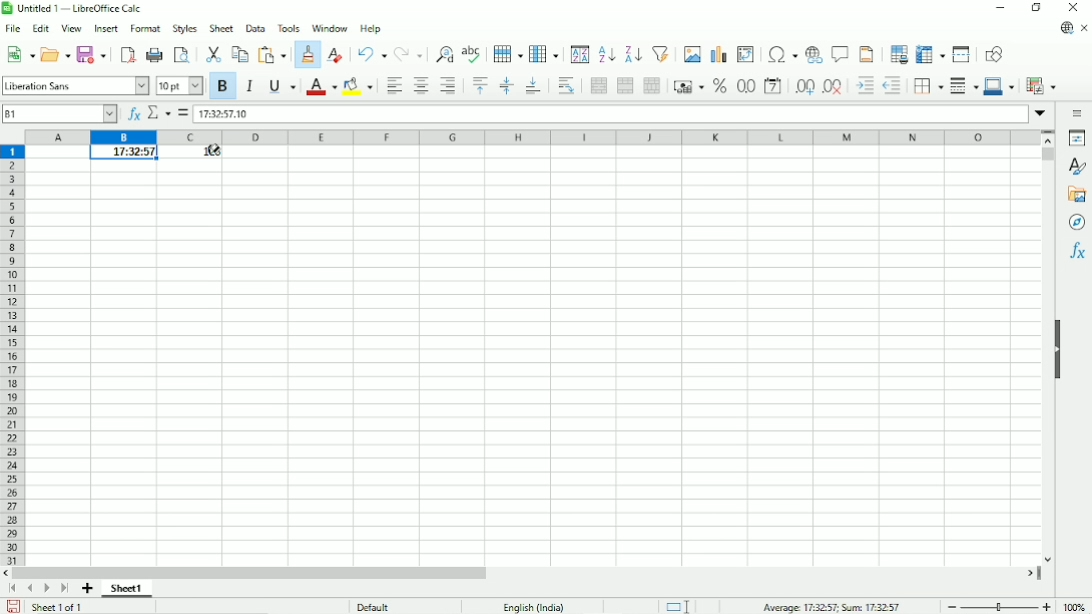 The width and height of the screenshot is (1092, 614). I want to click on Delete decimal place, so click(833, 88).